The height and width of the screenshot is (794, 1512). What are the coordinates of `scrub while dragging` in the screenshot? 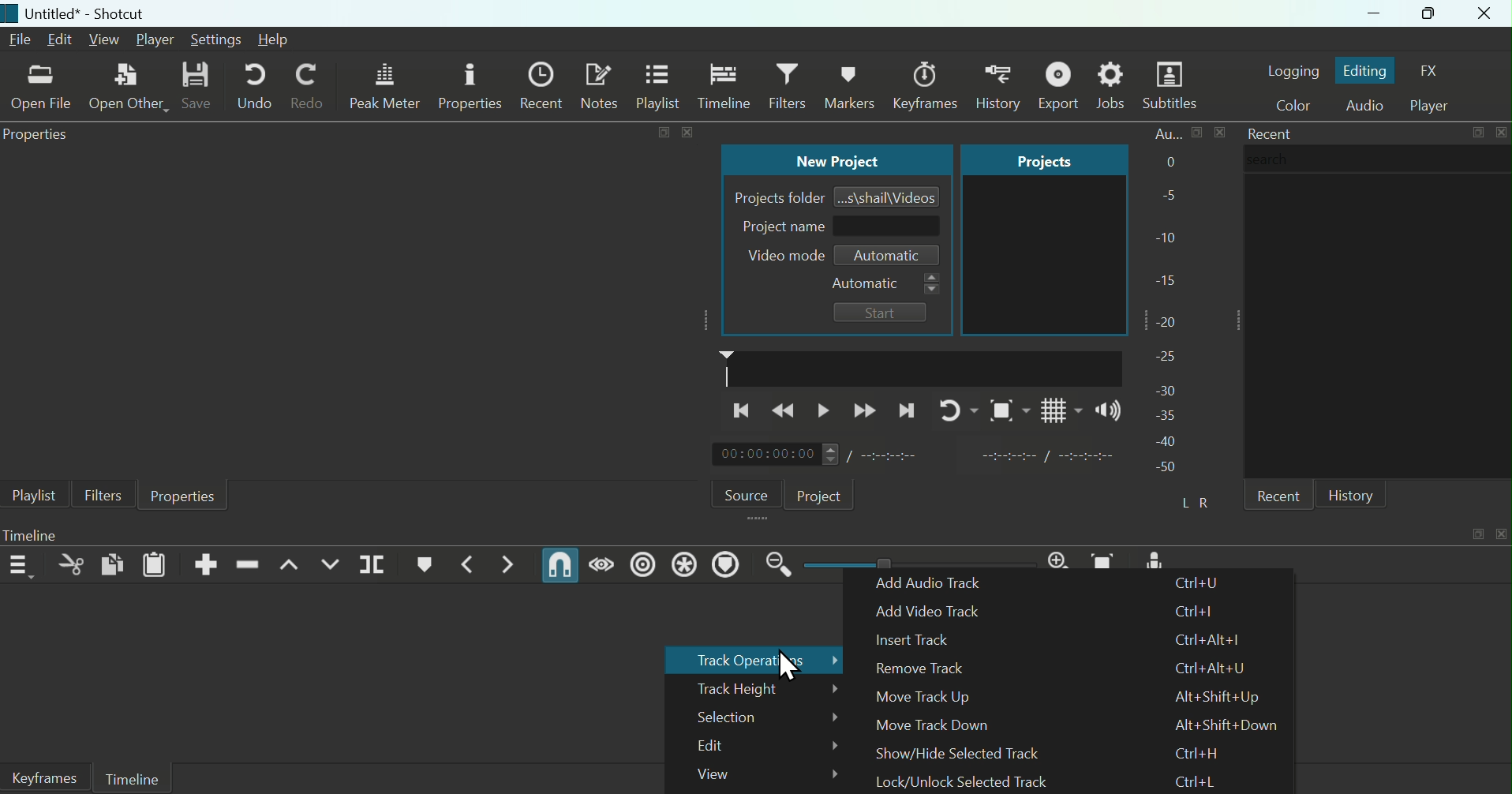 It's located at (603, 564).